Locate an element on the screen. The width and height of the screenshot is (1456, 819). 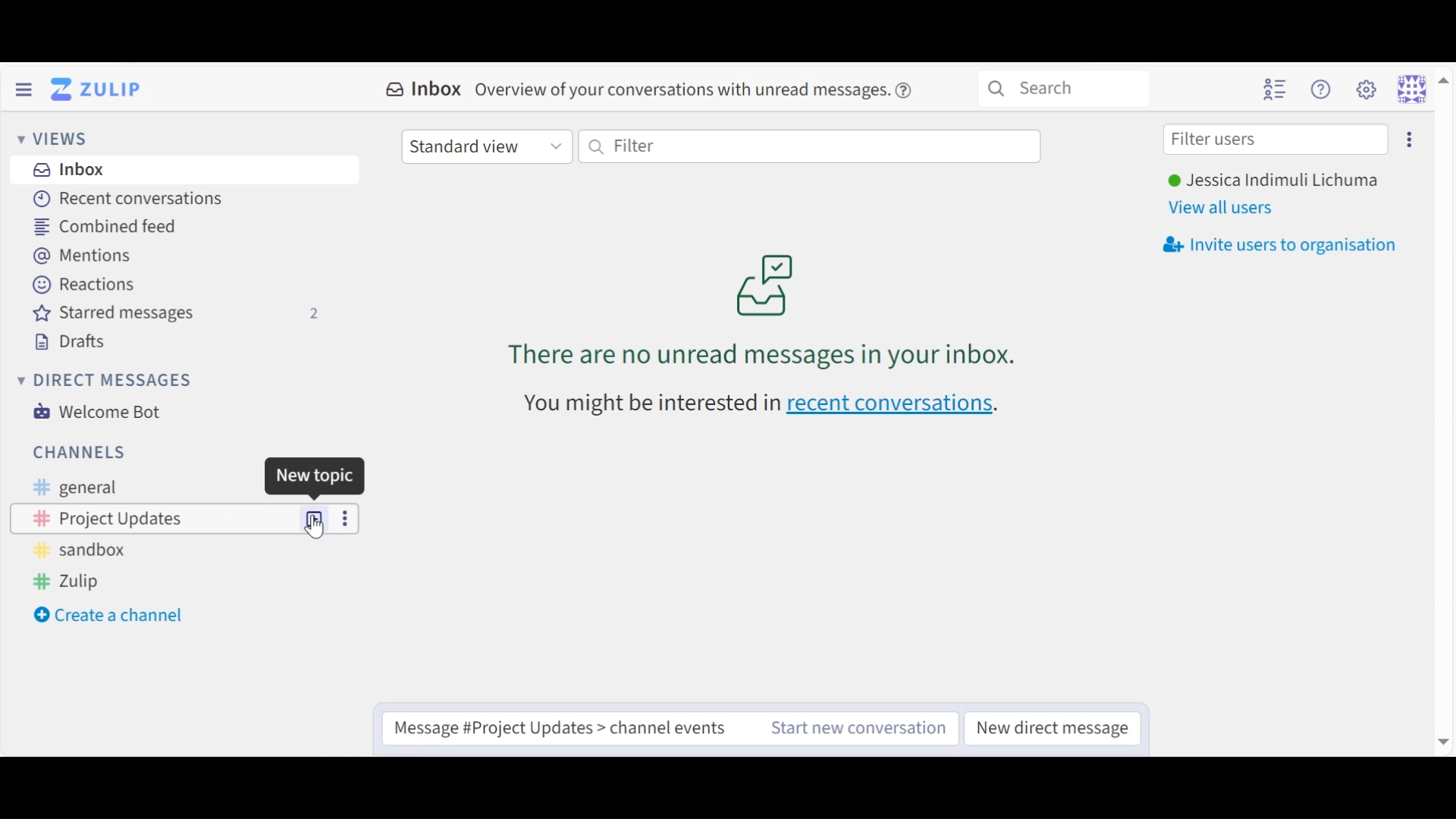
View all users is located at coordinates (1226, 207).